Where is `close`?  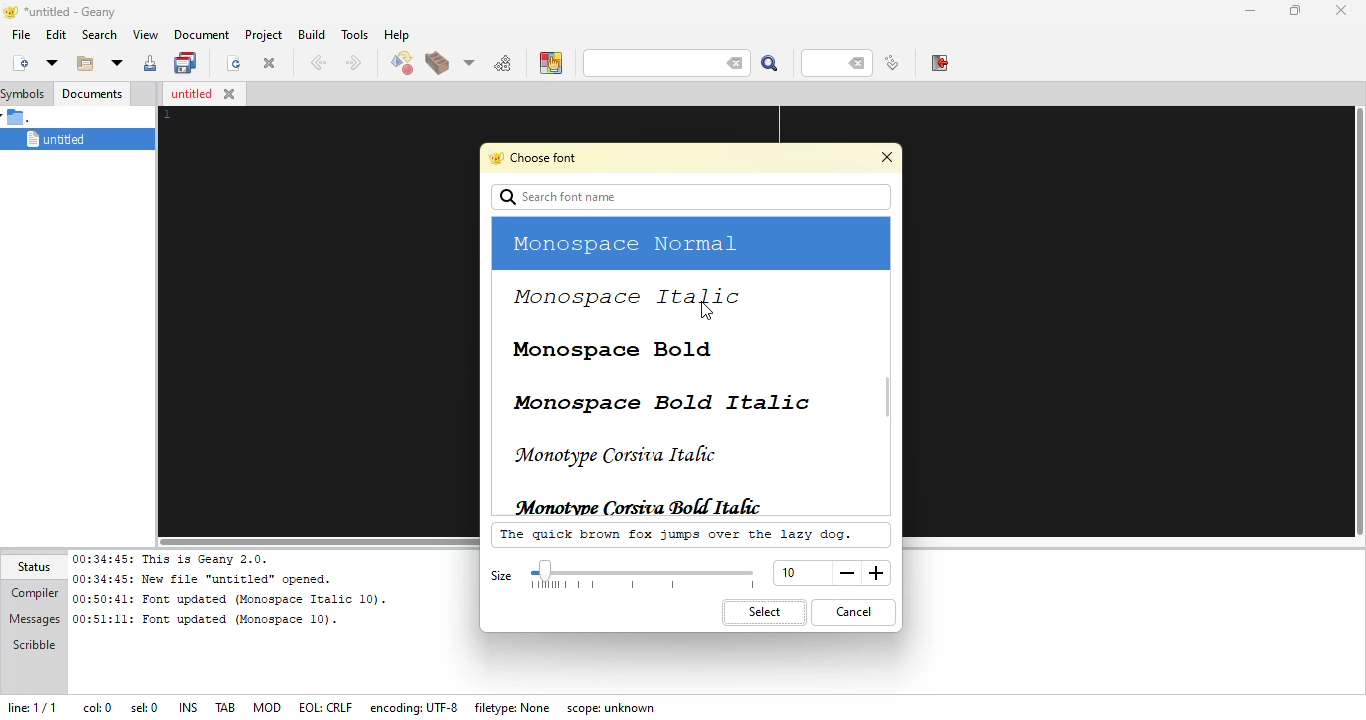
close is located at coordinates (886, 158).